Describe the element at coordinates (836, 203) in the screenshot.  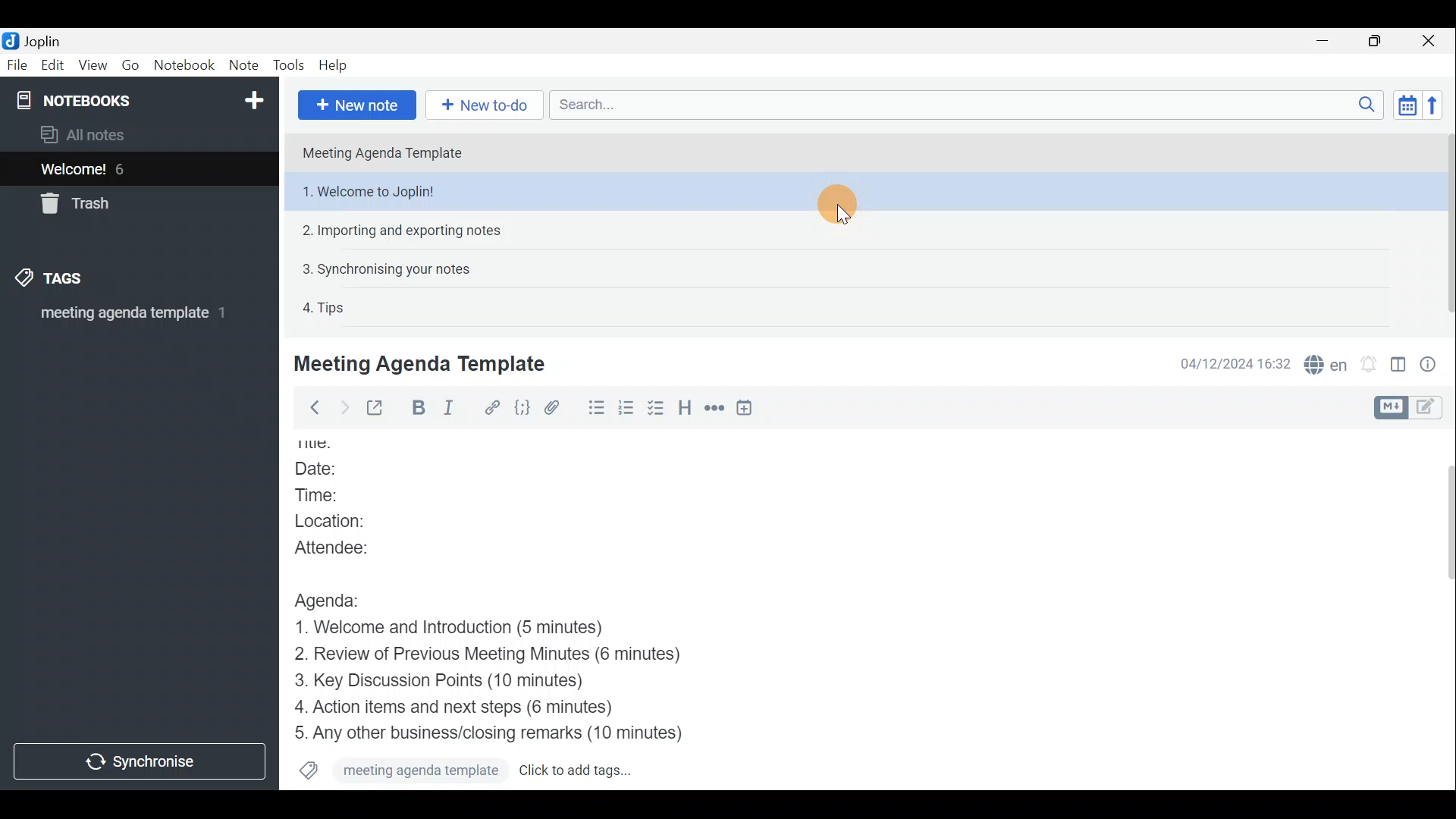
I see `Cursor` at that location.